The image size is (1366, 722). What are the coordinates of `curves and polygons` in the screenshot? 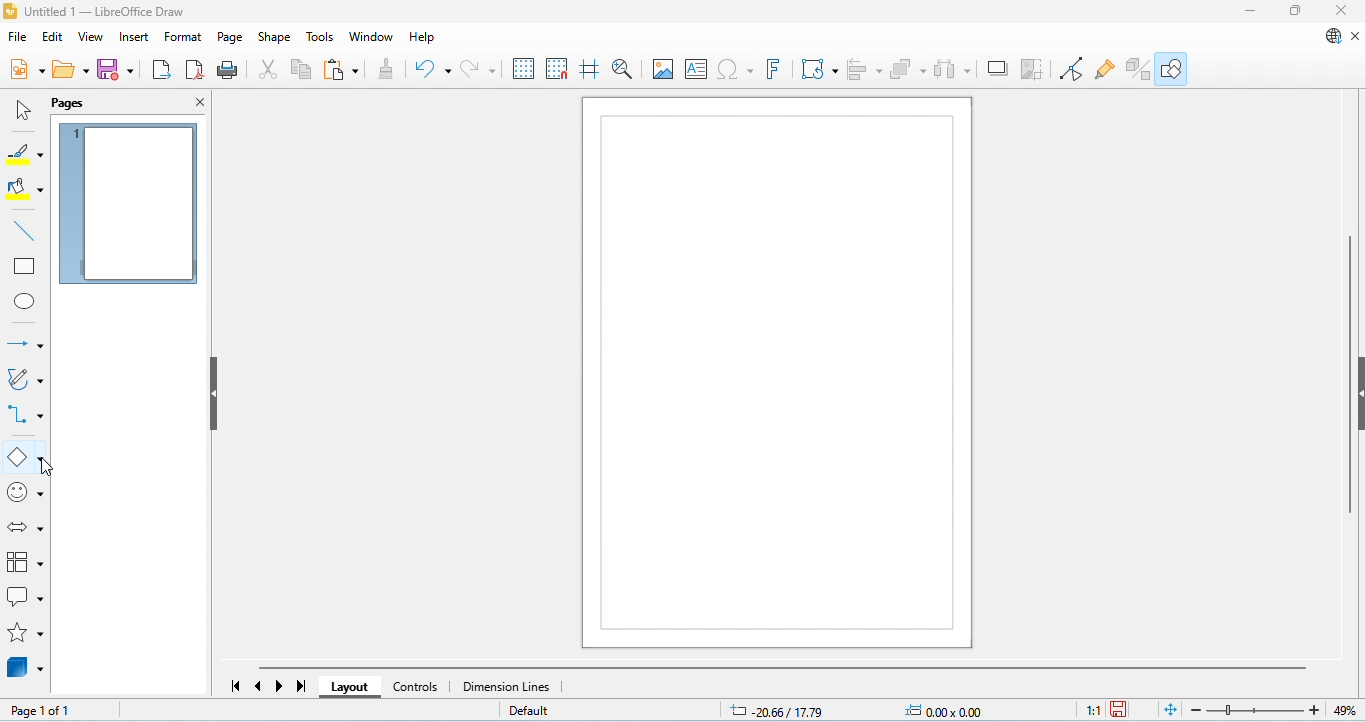 It's located at (24, 378).